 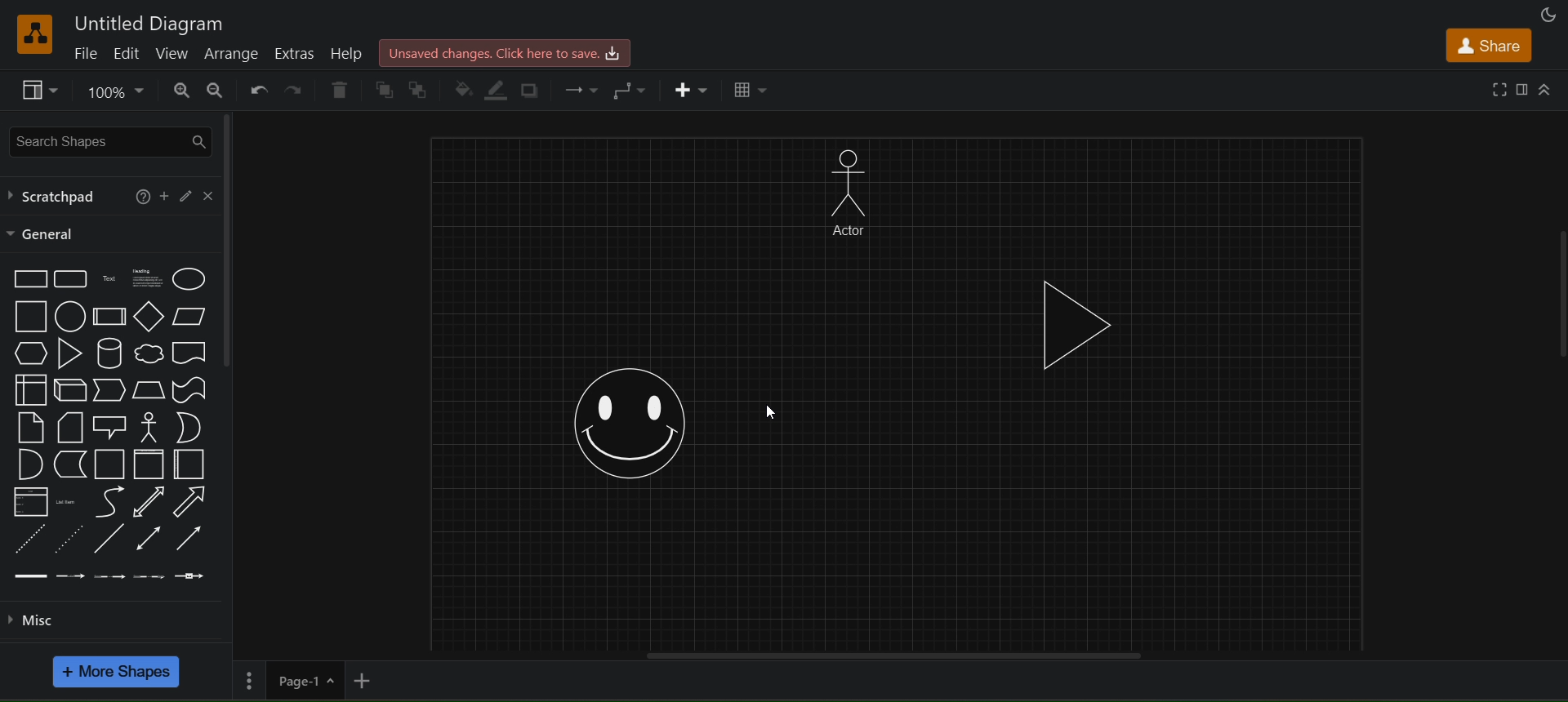 What do you see at coordinates (28, 353) in the screenshot?
I see `hexagon` at bounding box center [28, 353].